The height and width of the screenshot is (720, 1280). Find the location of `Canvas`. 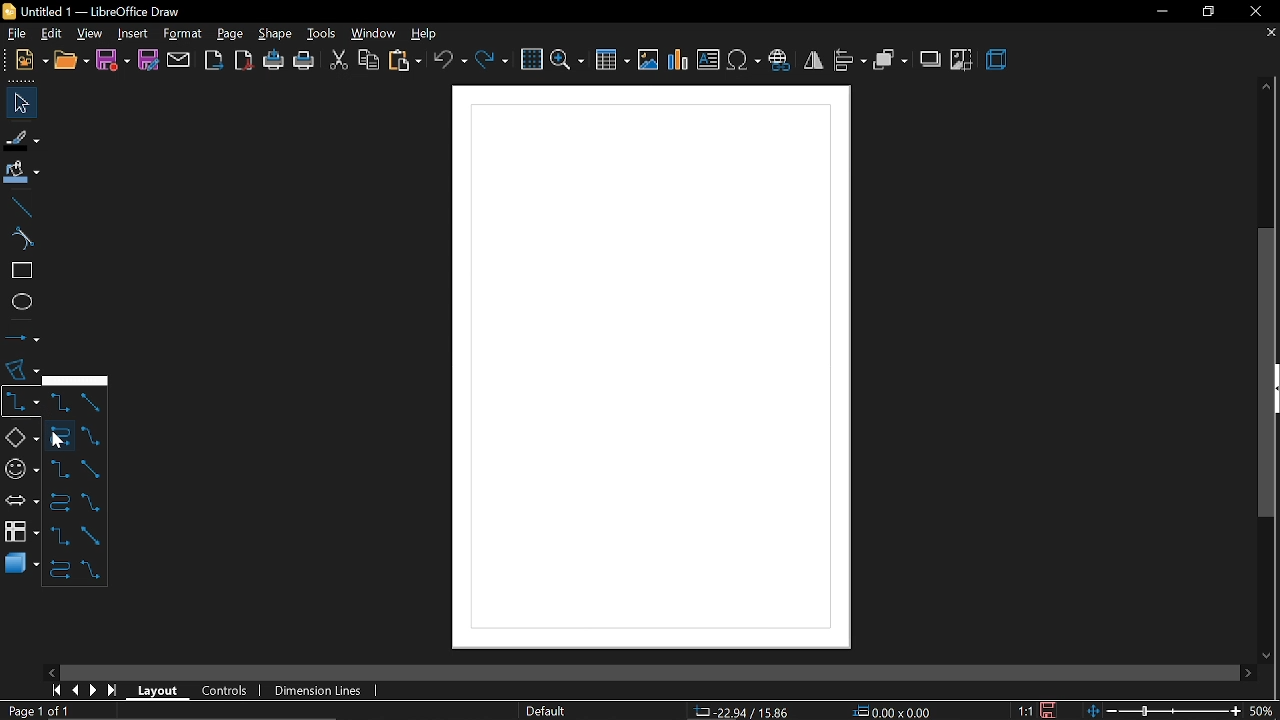

Canvas is located at coordinates (648, 370).